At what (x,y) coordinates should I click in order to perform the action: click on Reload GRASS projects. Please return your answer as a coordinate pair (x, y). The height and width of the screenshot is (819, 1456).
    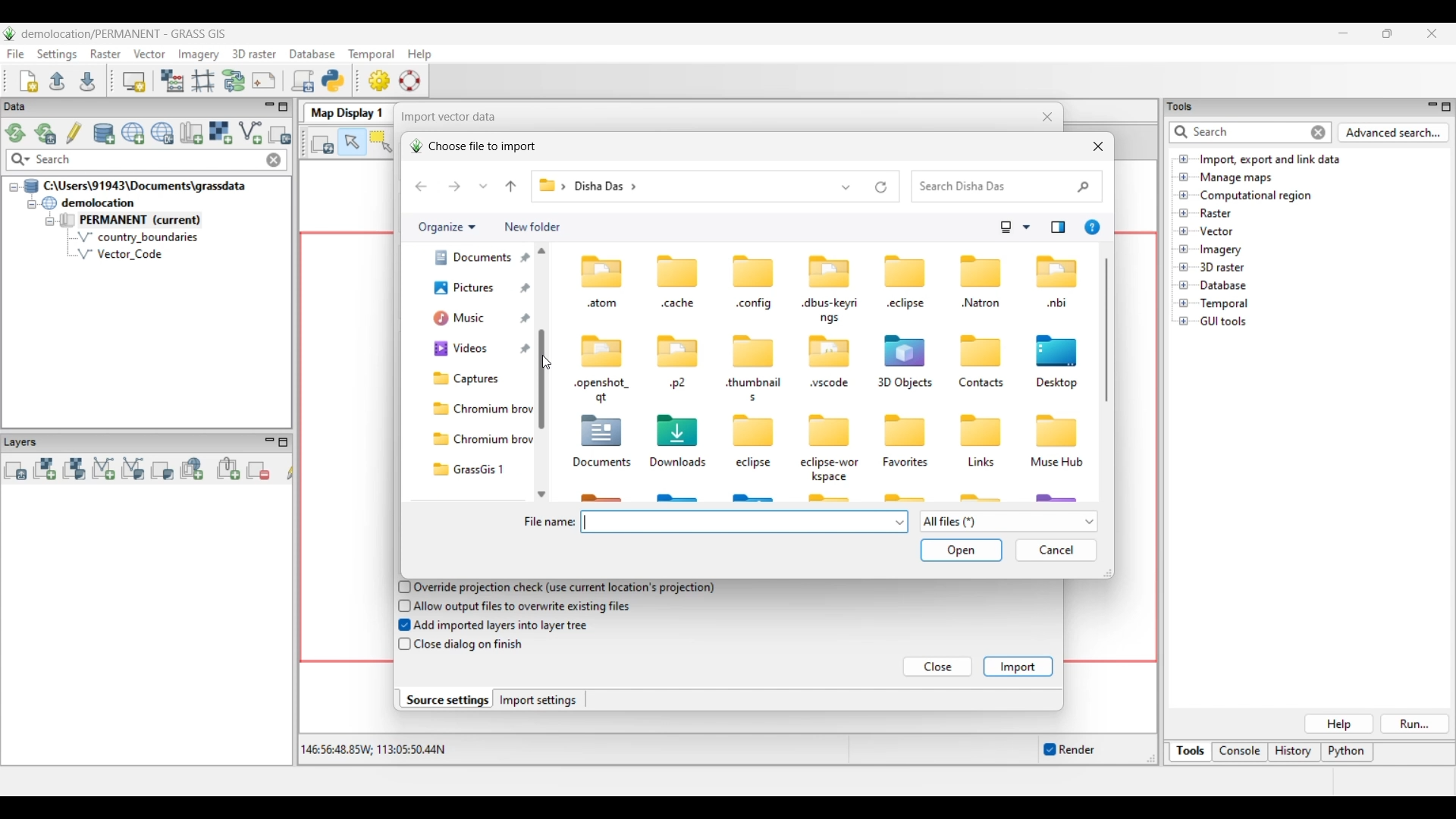
    Looking at the image, I should click on (16, 133).